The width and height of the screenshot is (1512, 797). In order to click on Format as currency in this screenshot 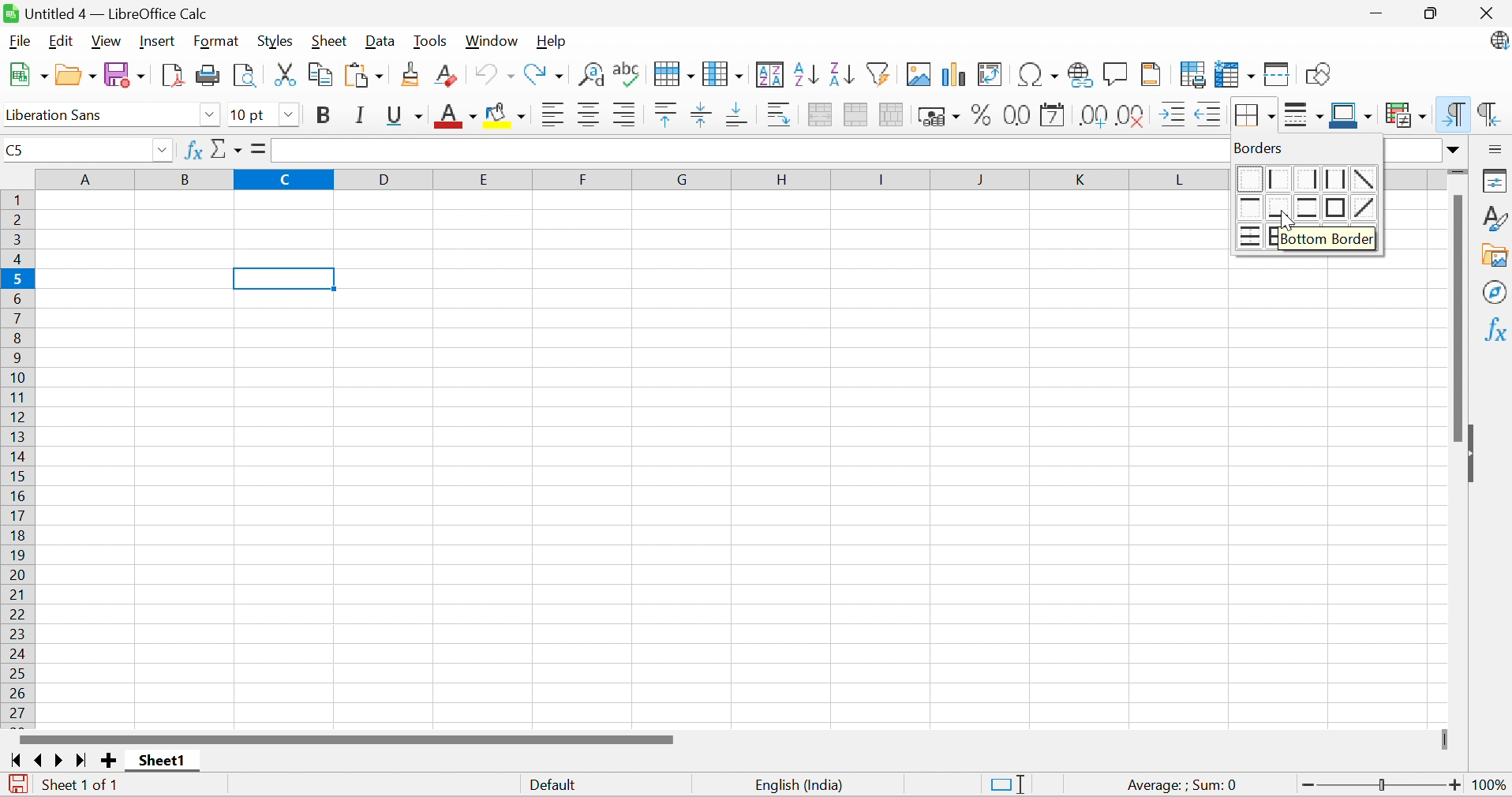, I will do `click(941, 116)`.